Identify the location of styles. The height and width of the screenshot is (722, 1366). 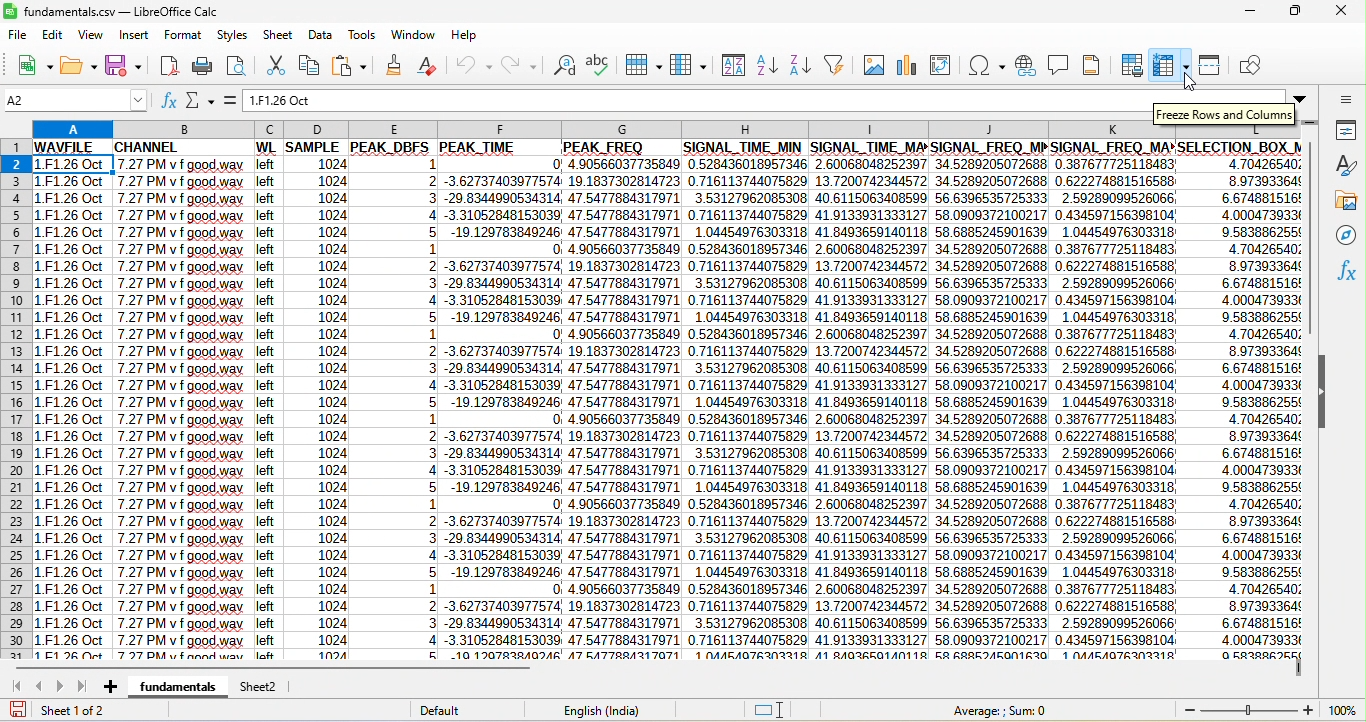
(1343, 166).